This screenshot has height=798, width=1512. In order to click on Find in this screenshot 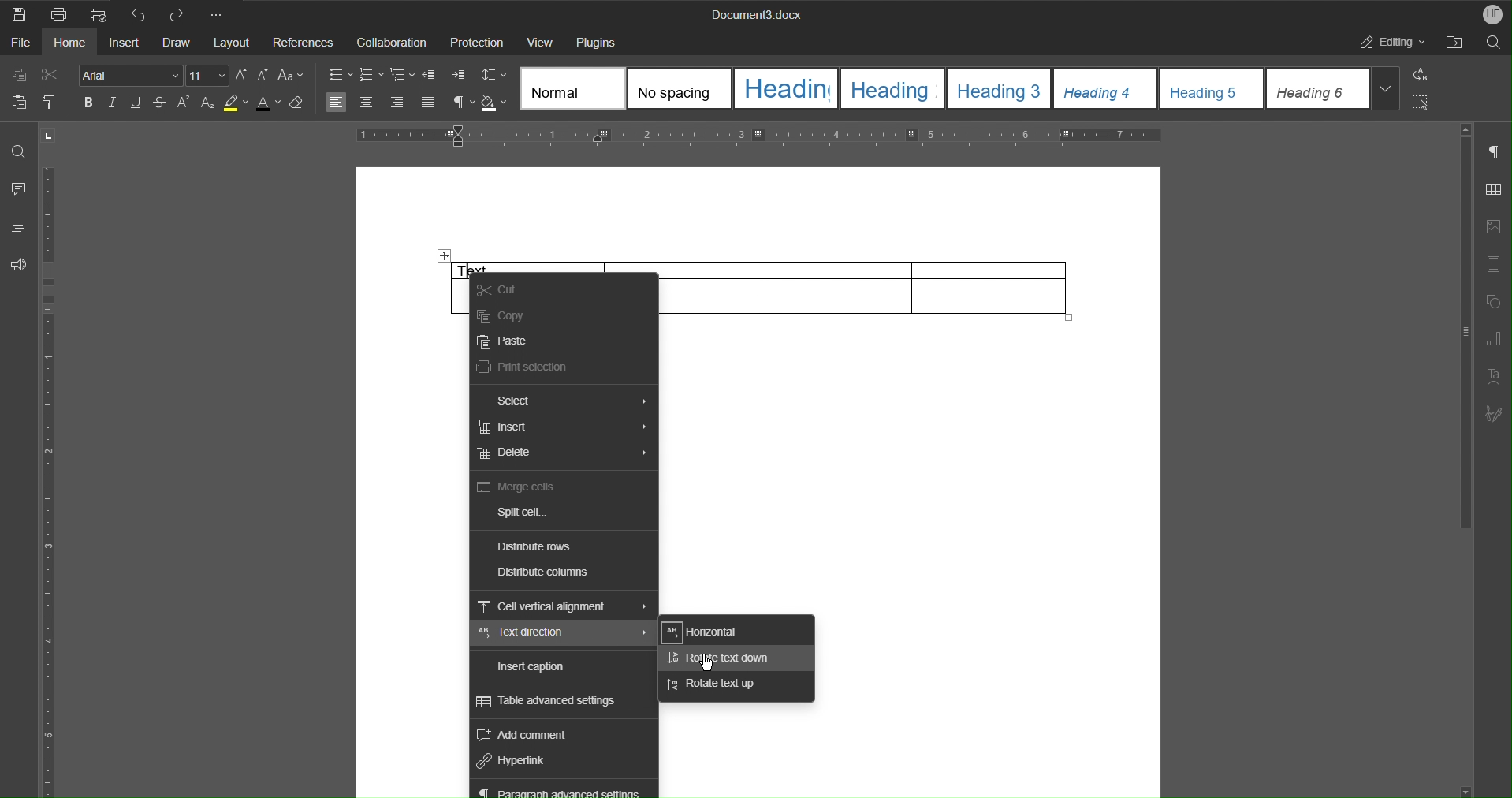, I will do `click(16, 151)`.